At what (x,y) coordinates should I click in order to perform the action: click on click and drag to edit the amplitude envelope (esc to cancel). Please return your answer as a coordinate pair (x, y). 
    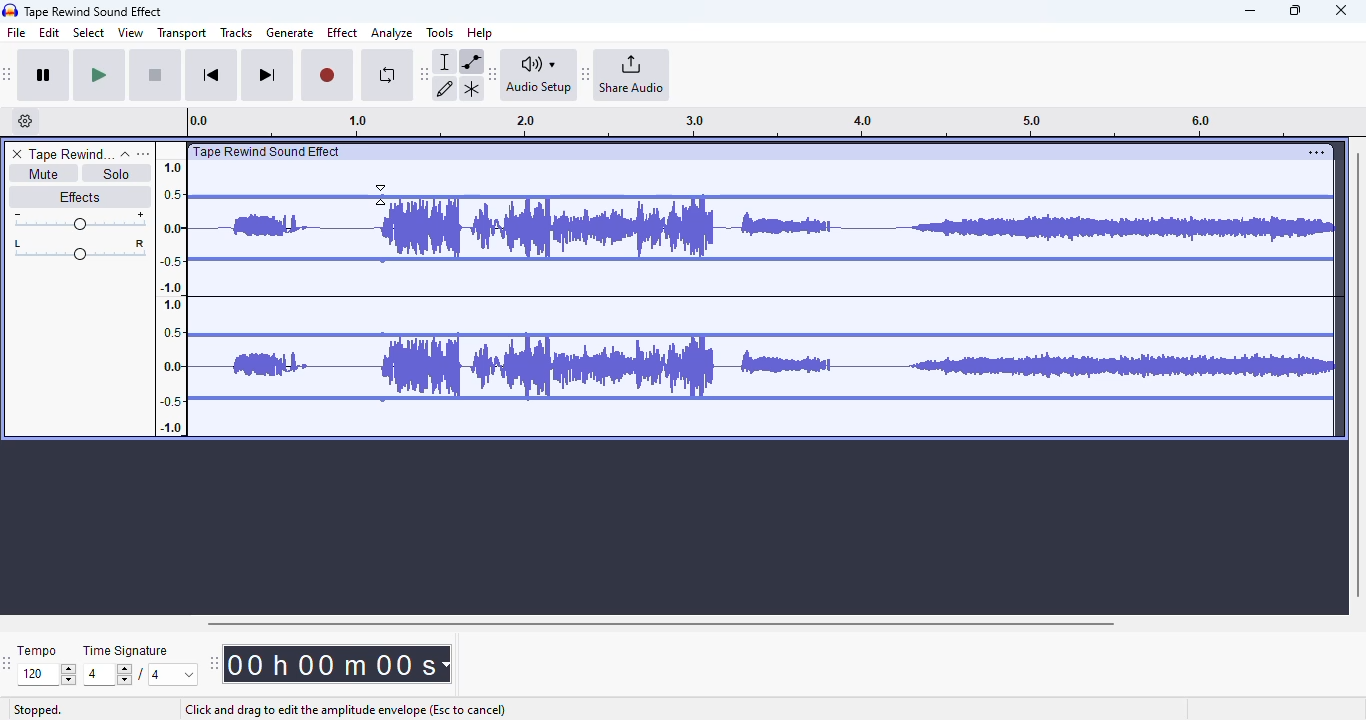
    Looking at the image, I should click on (345, 708).